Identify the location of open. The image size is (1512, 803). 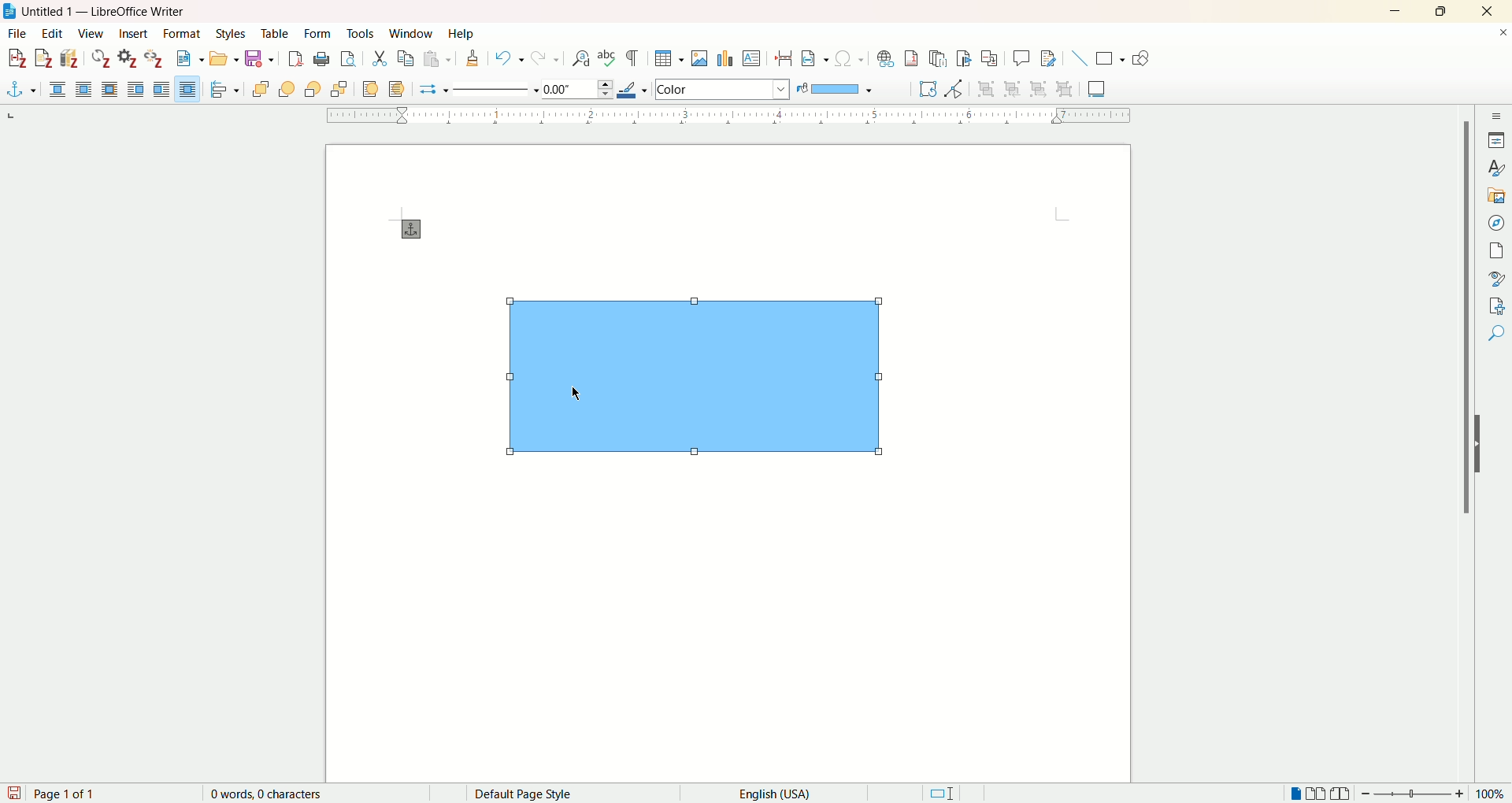
(223, 60).